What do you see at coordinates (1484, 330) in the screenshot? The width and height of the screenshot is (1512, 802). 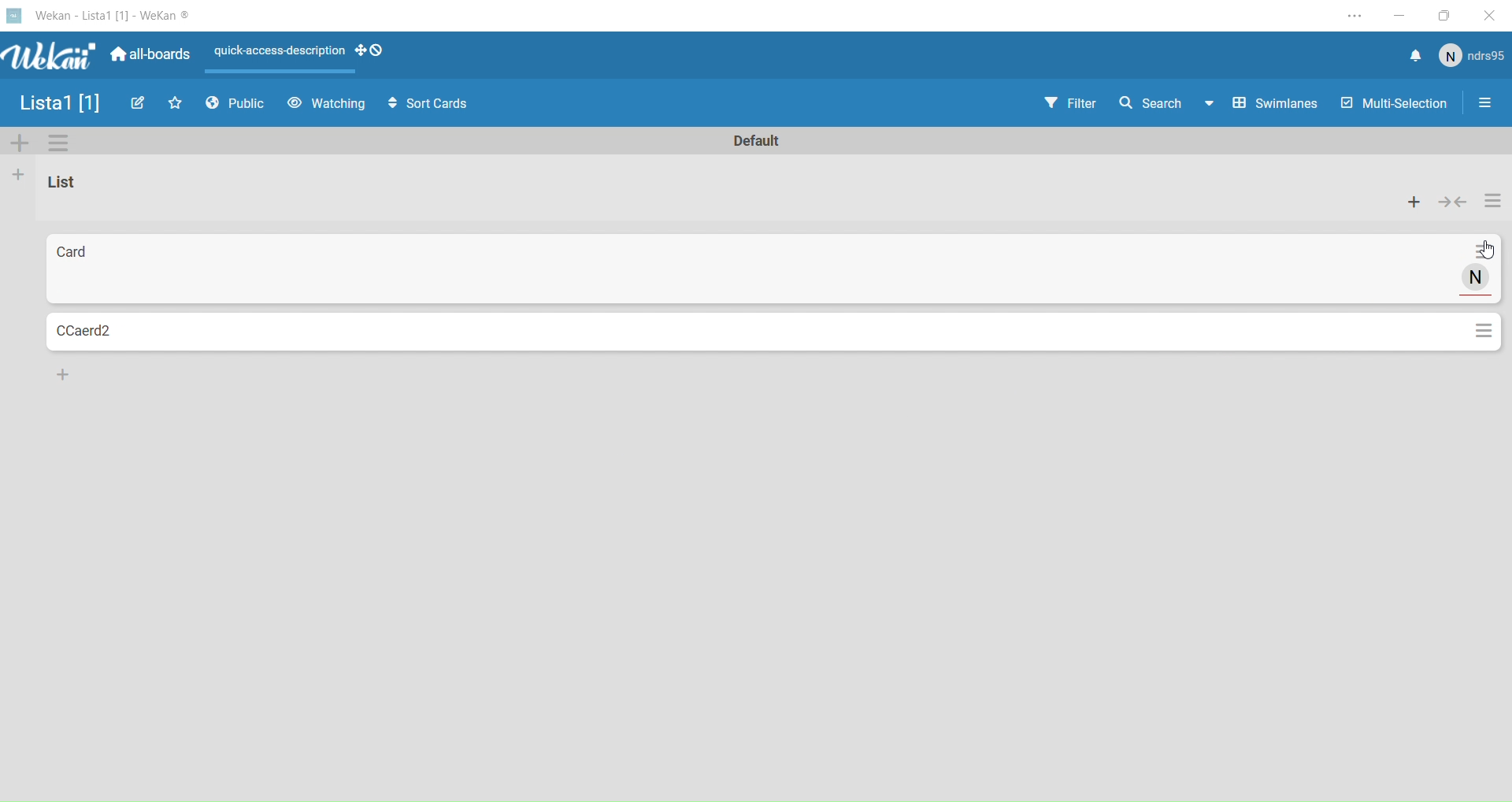 I see `Settings` at bounding box center [1484, 330].